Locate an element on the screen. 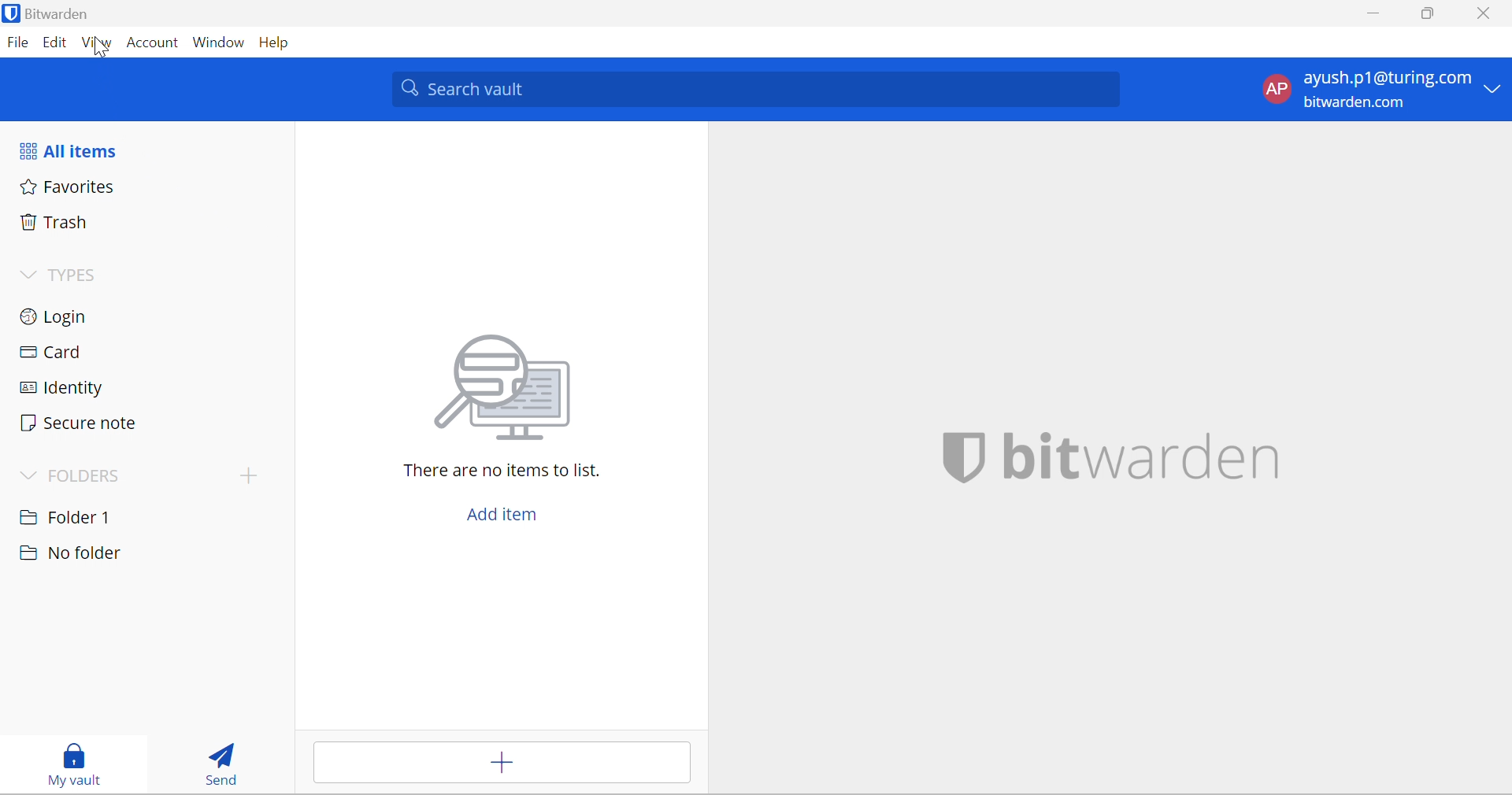  folder 1 is located at coordinates (81, 516).